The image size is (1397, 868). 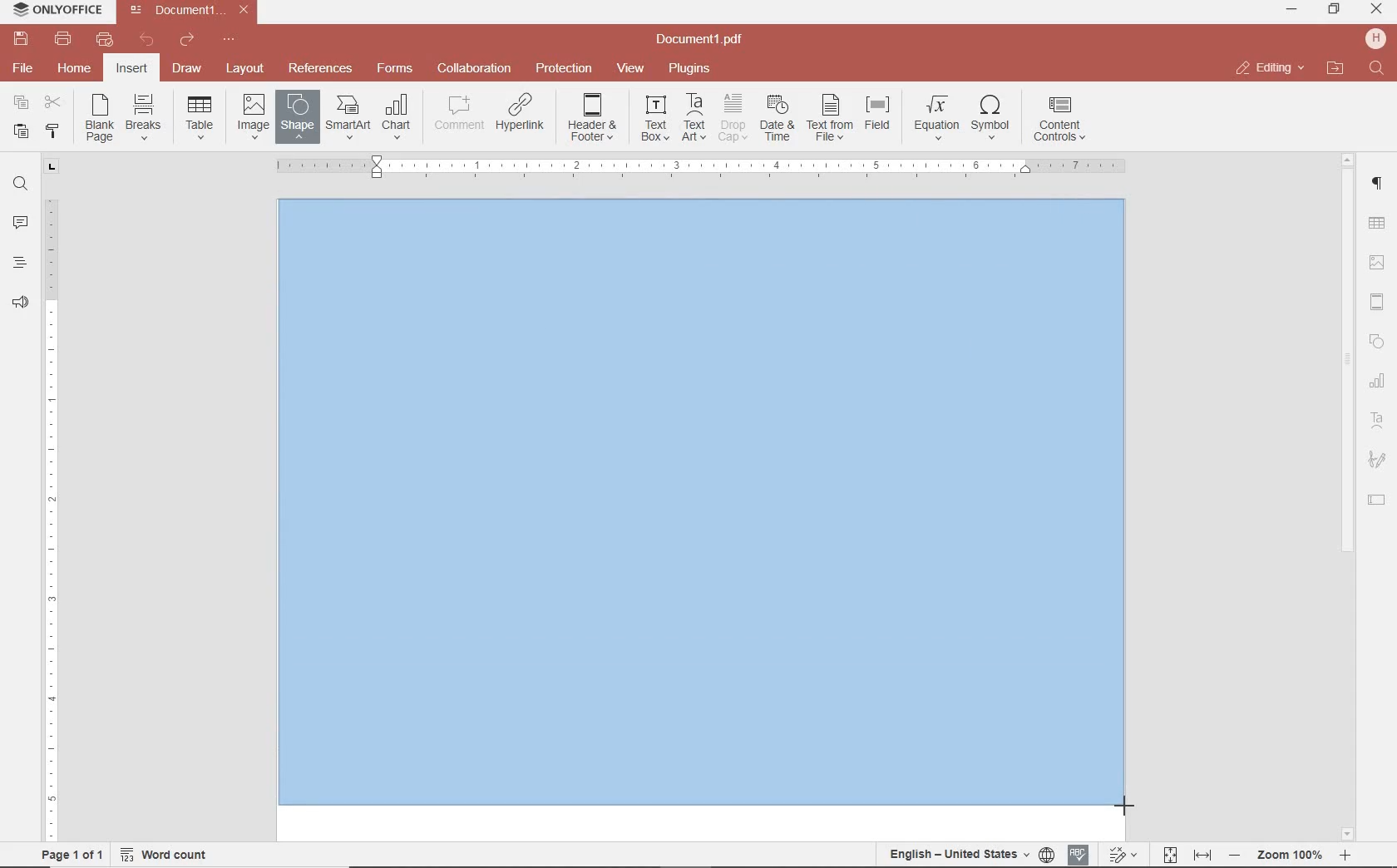 What do you see at coordinates (1379, 38) in the screenshot?
I see `hp` at bounding box center [1379, 38].